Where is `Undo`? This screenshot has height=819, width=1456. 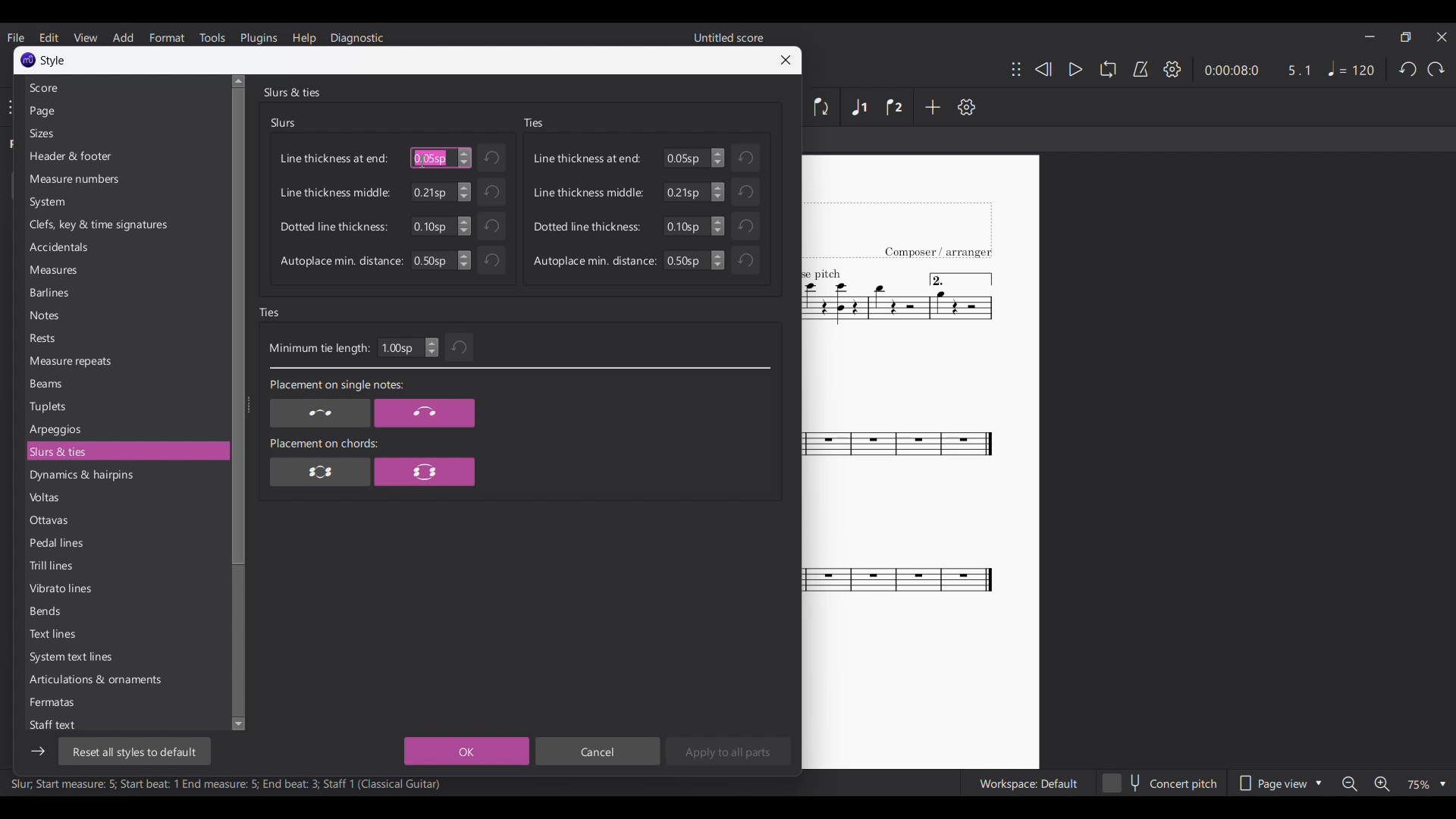
Undo is located at coordinates (1407, 69).